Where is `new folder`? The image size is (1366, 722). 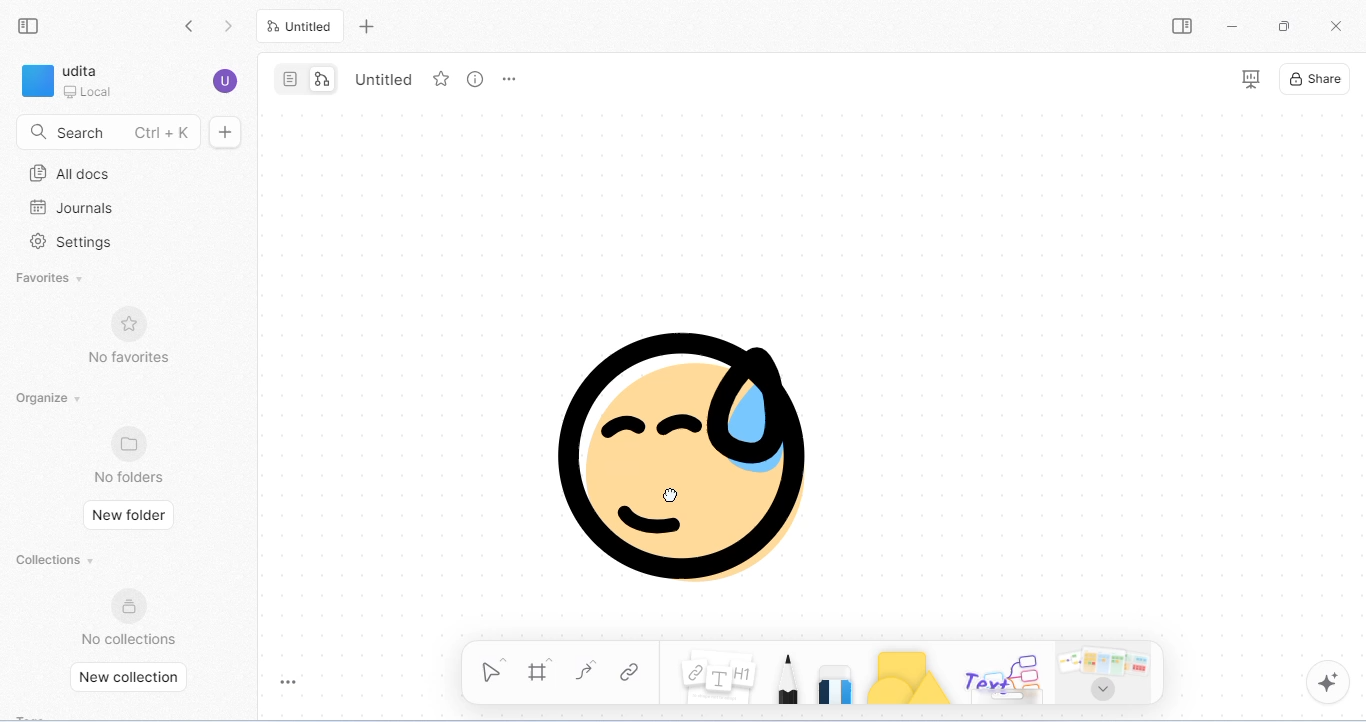 new folder is located at coordinates (130, 514).